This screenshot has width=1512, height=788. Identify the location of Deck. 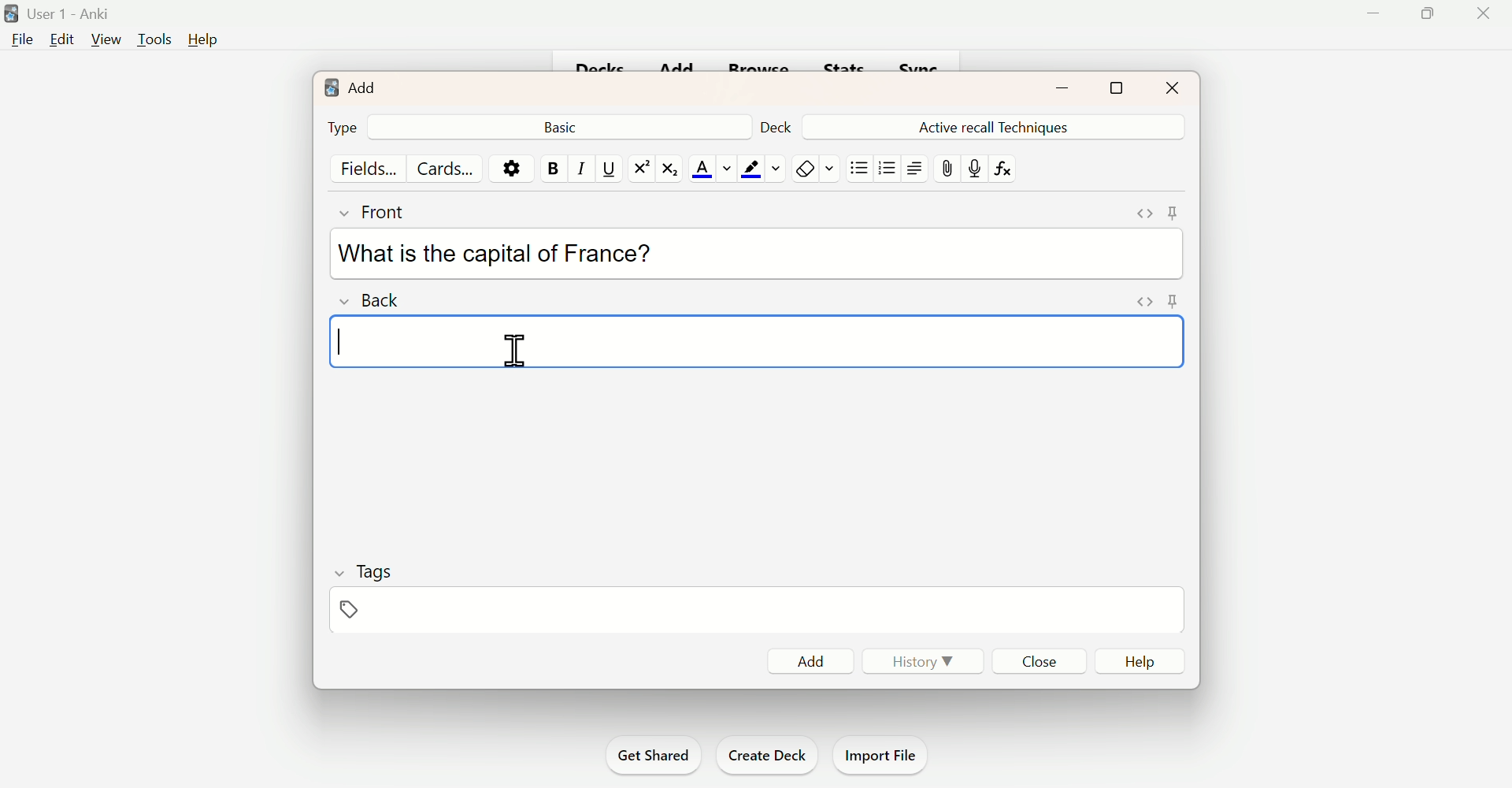
(773, 124).